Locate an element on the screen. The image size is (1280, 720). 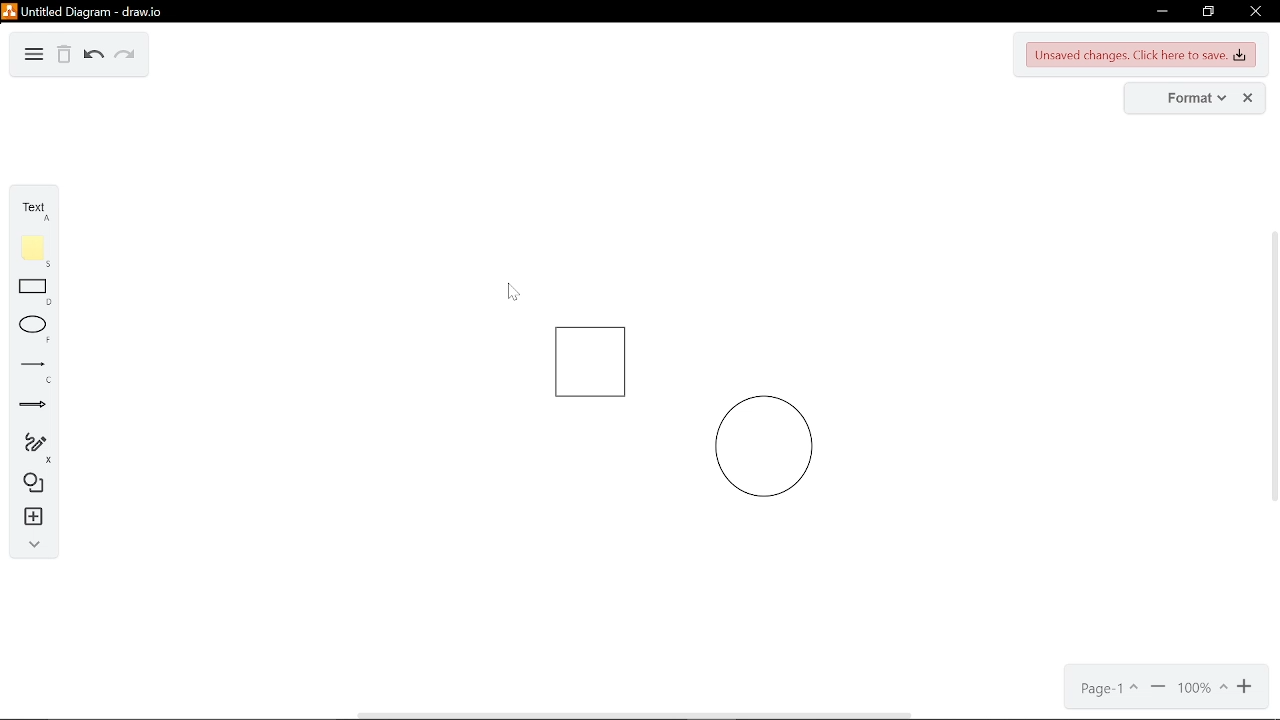
logo is located at coordinates (9, 11).